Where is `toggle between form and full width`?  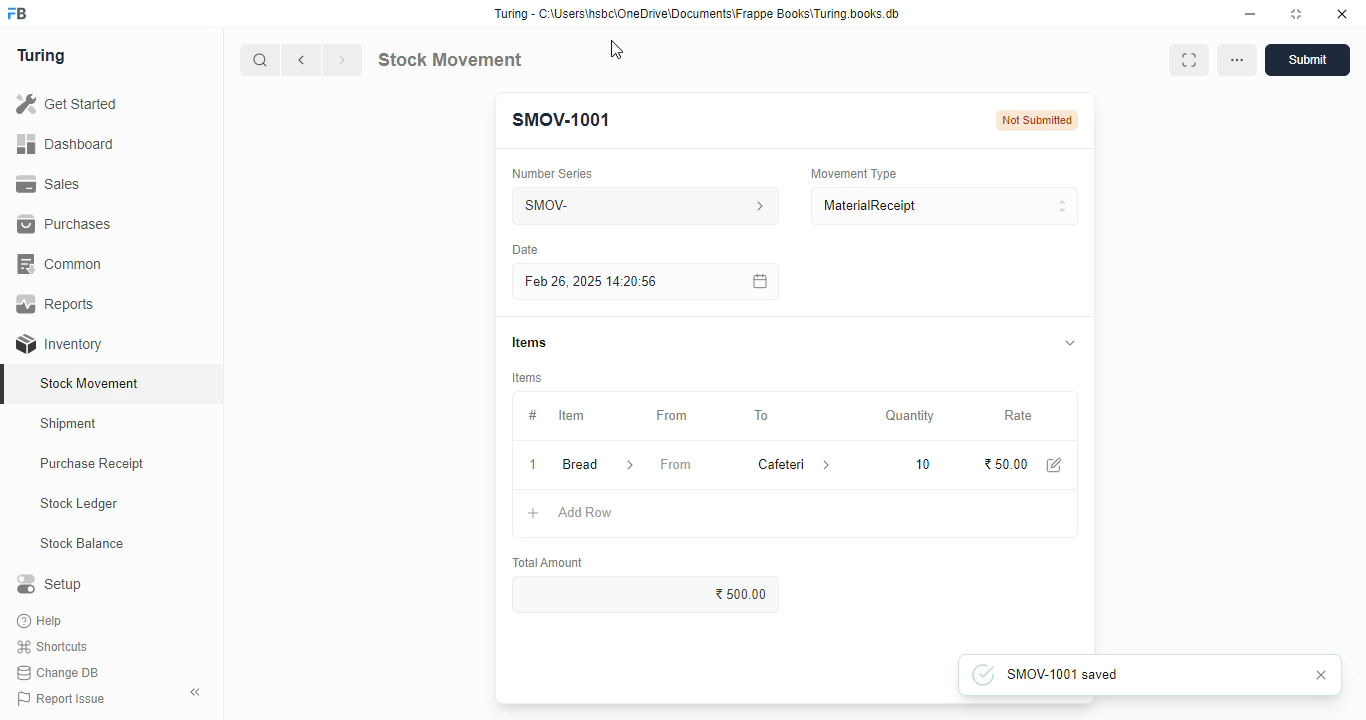 toggle between form and full width is located at coordinates (1187, 59).